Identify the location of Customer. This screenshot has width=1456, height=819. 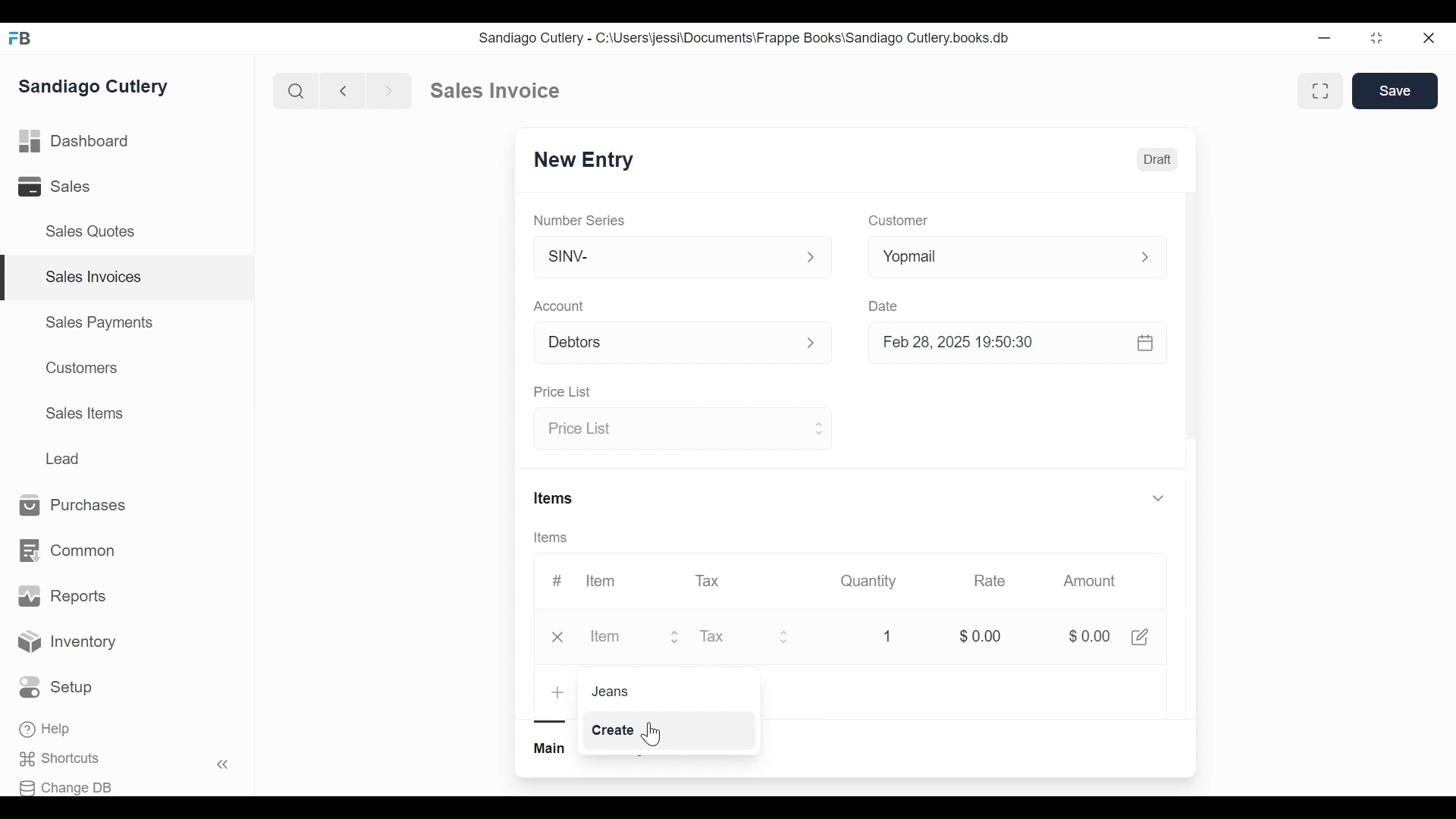
(896, 221).